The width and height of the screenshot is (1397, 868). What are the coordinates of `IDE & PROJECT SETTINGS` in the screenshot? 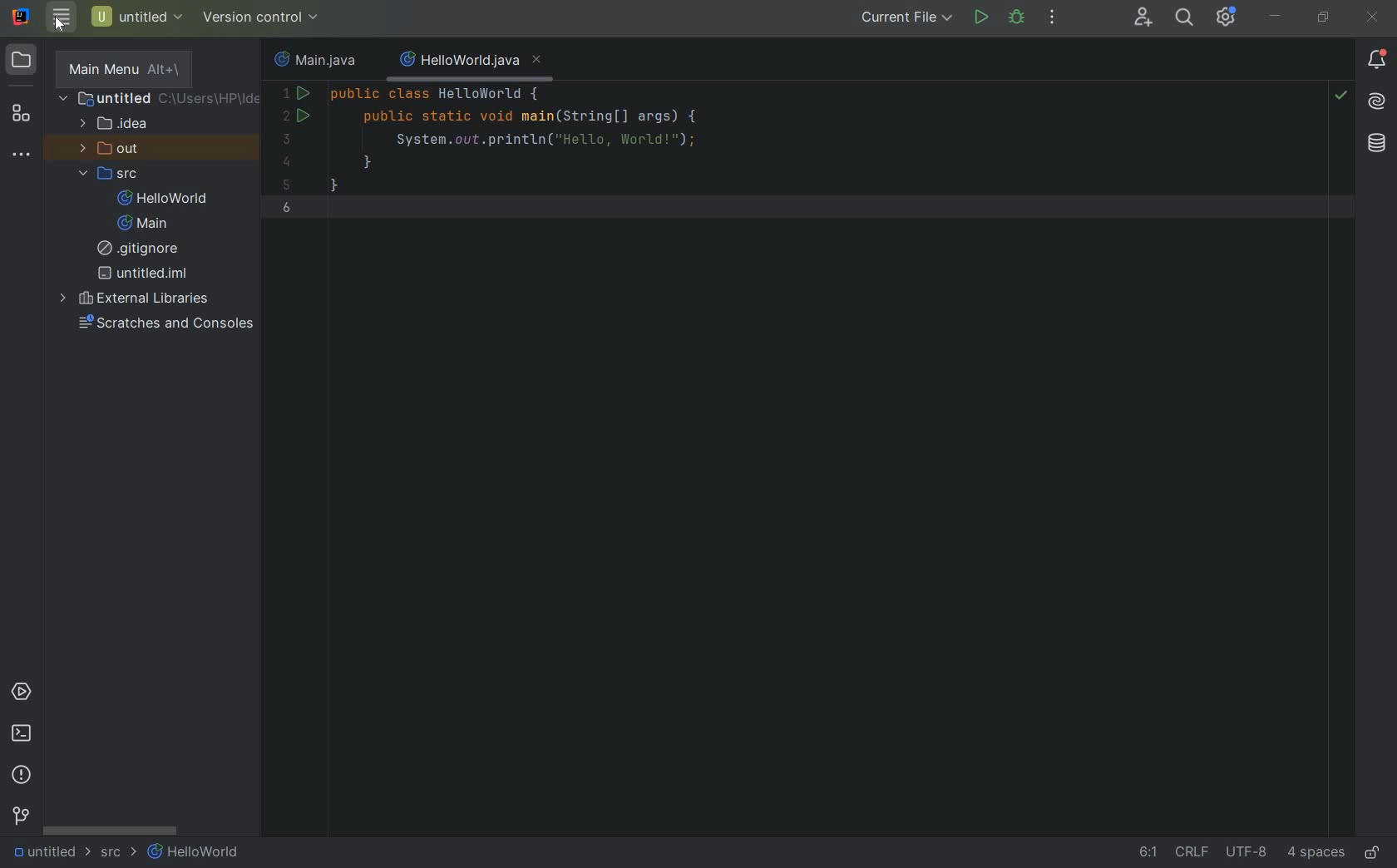 It's located at (1225, 17).